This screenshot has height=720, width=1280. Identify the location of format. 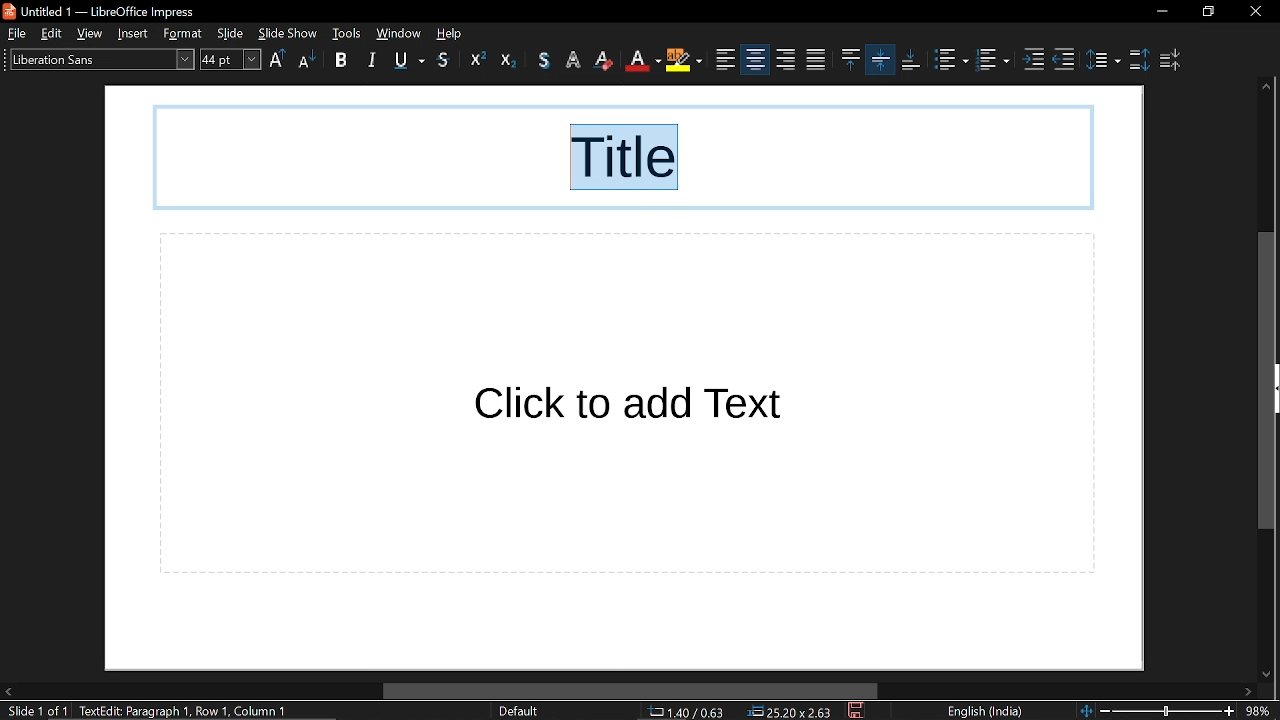
(186, 34).